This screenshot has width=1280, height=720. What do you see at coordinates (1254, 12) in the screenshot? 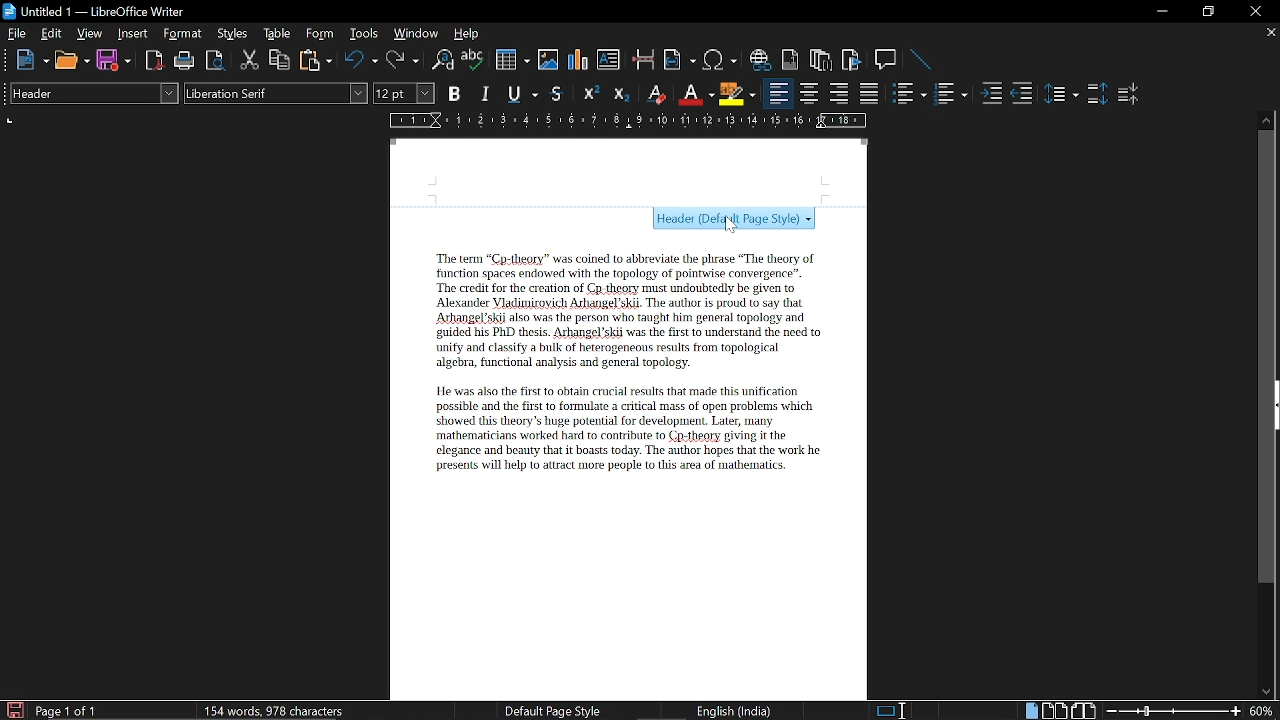
I see `Close` at bounding box center [1254, 12].